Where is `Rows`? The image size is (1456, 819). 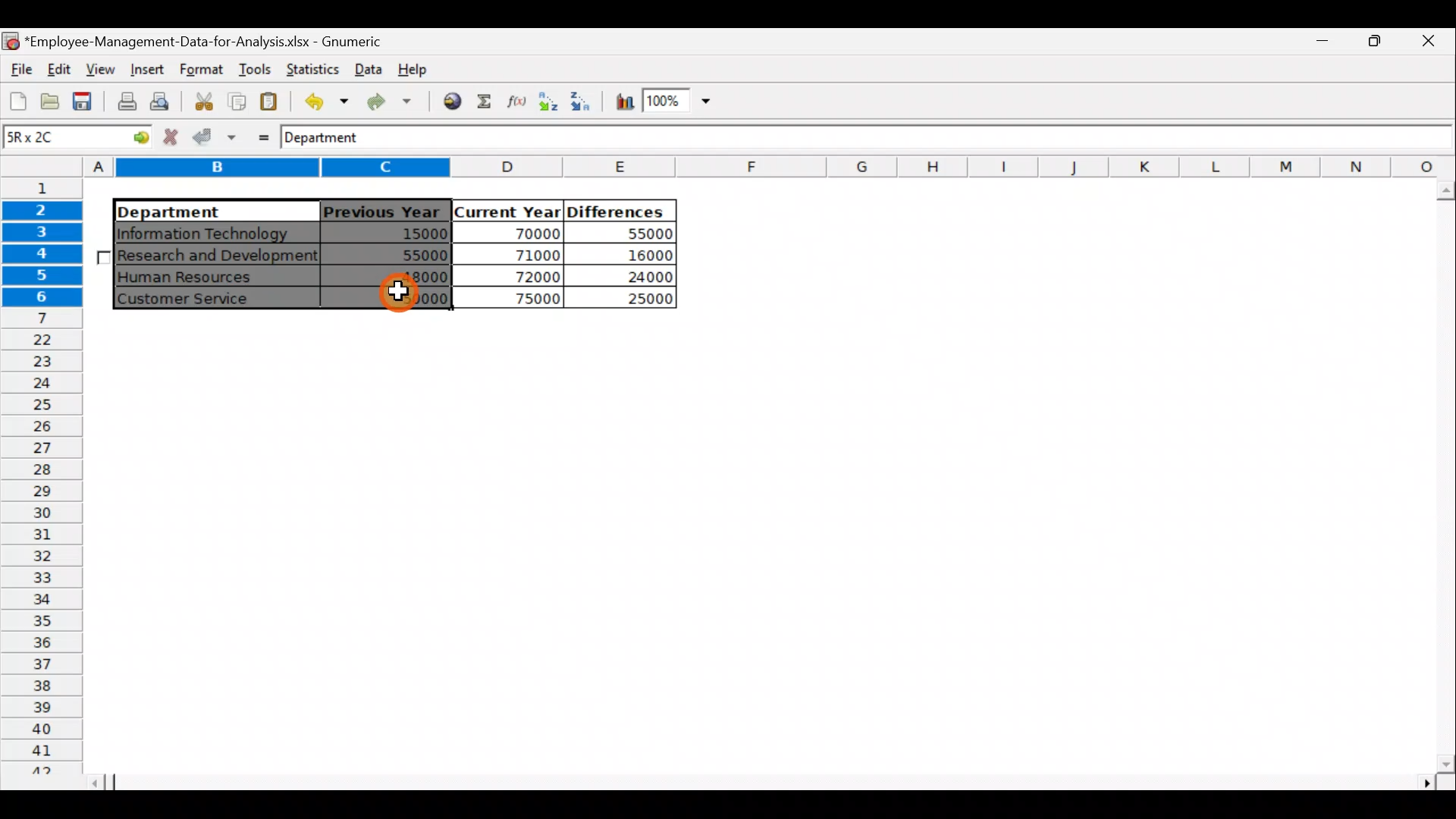
Rows is located at coordinates (45, 475).